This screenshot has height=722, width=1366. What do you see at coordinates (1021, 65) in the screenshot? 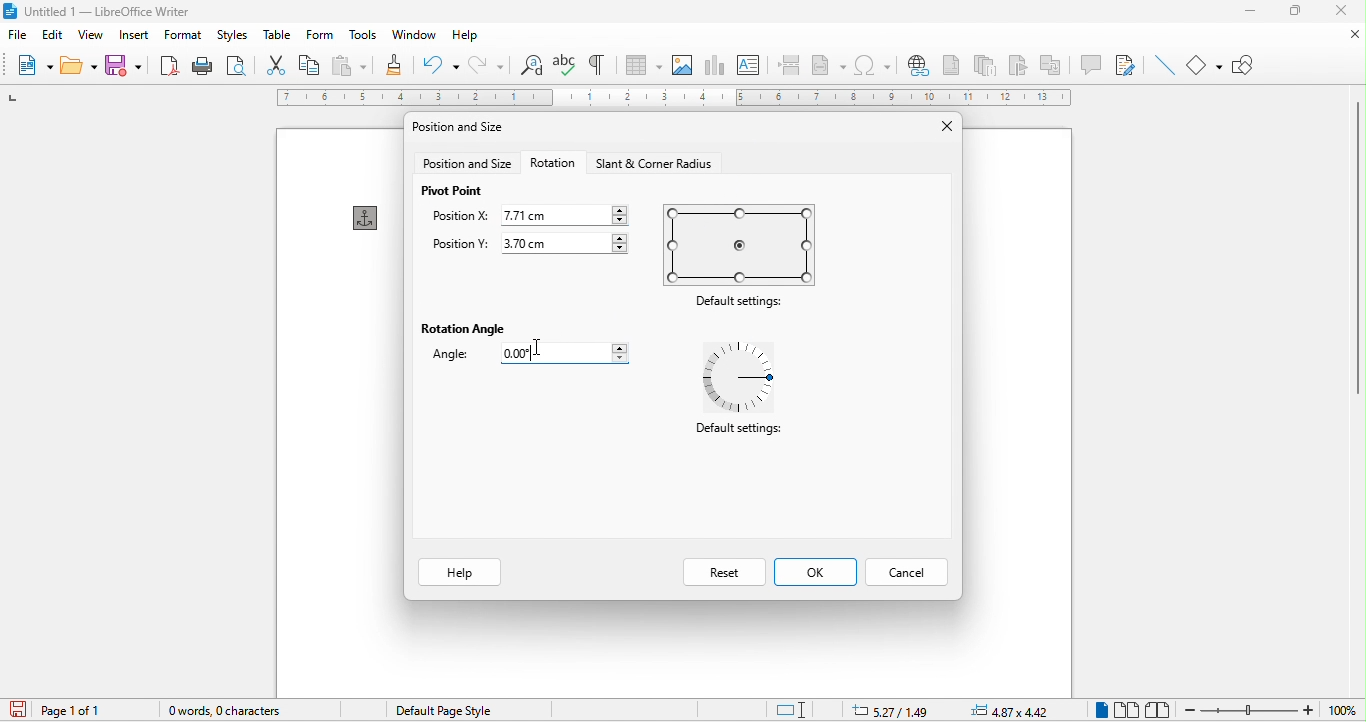
I see `bookmark` at bounding box center [1021, 65].